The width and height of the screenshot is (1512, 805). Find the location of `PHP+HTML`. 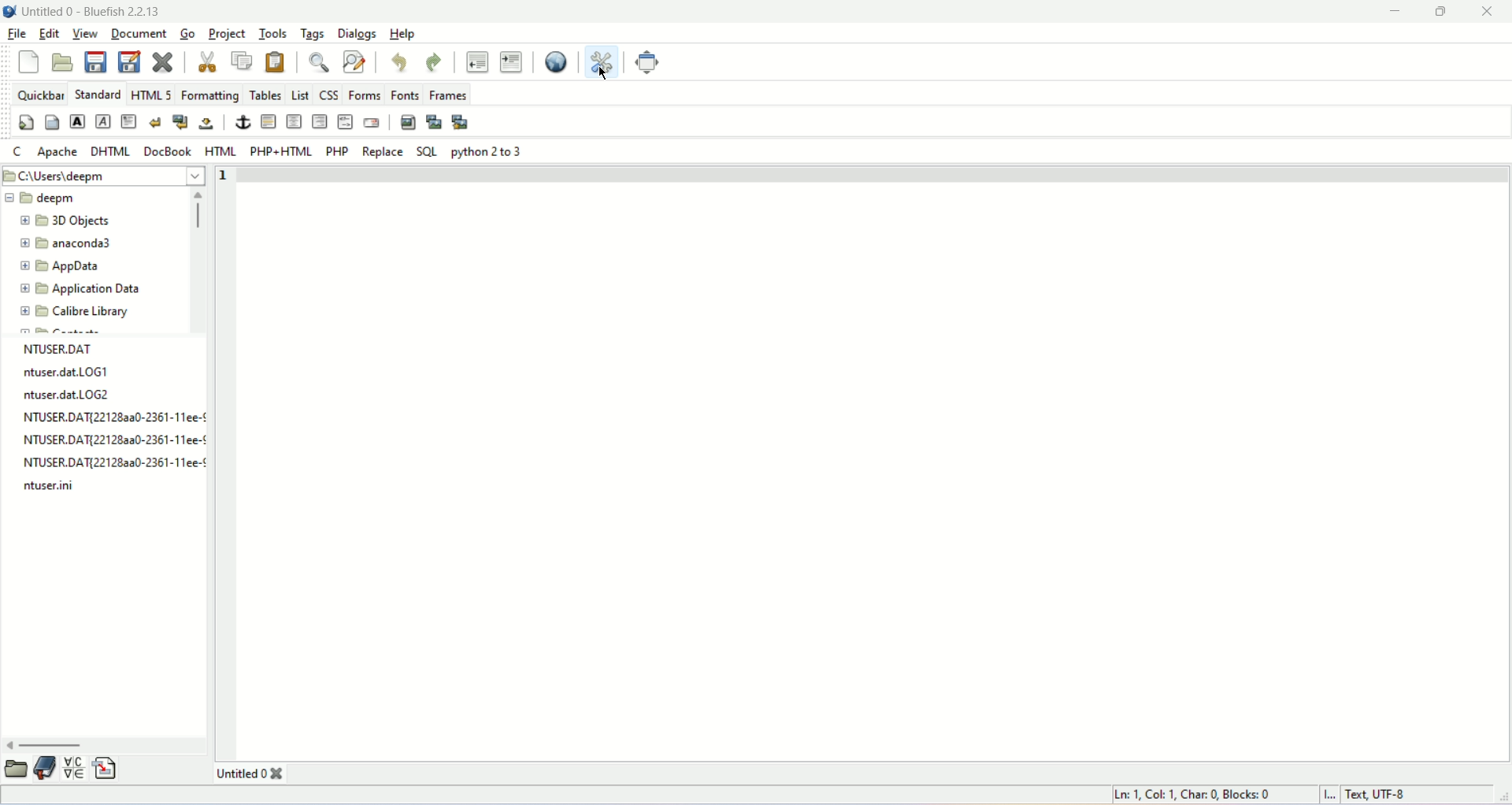

PHP+HTML is located at coordinates (281, 150).